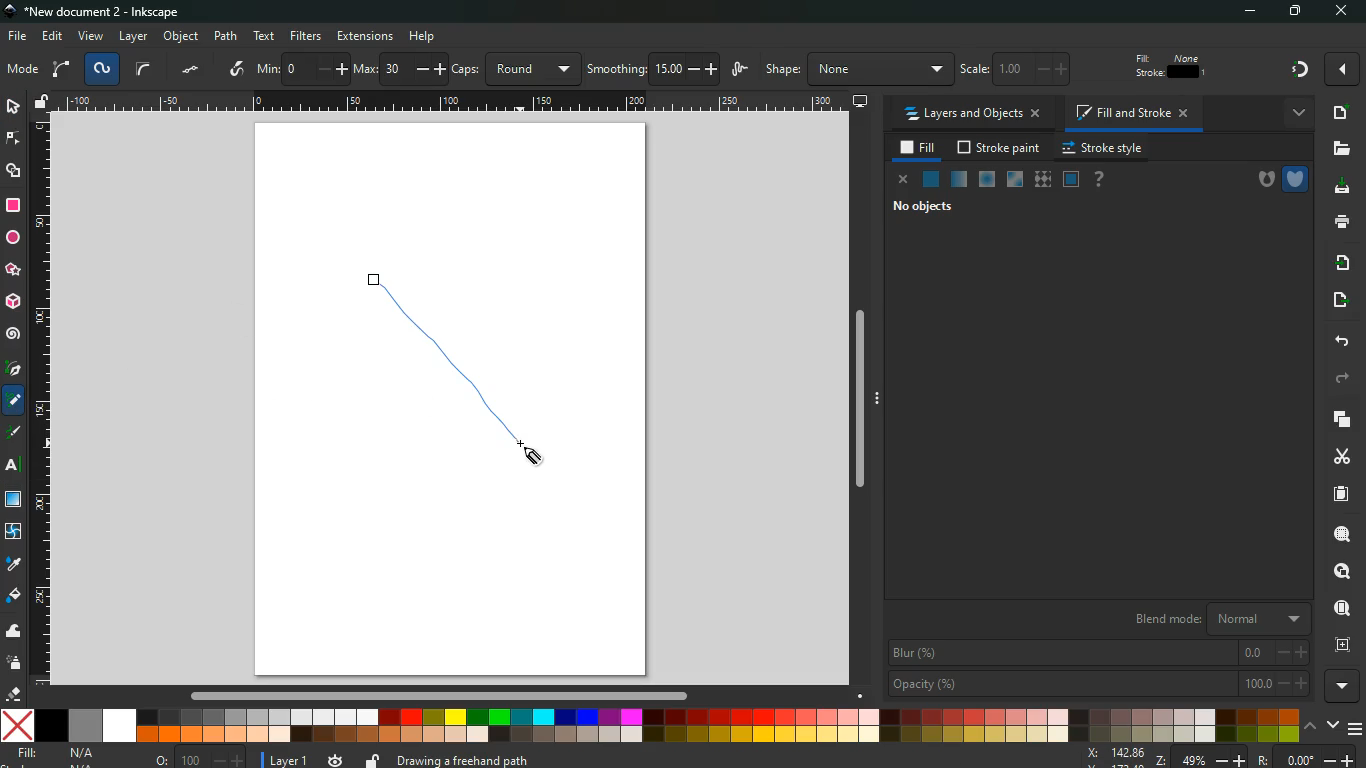 The image size is (1366, 768). Describe the element at coordinates (13, 207) in the screenshot. I see `rectangle` at that location.